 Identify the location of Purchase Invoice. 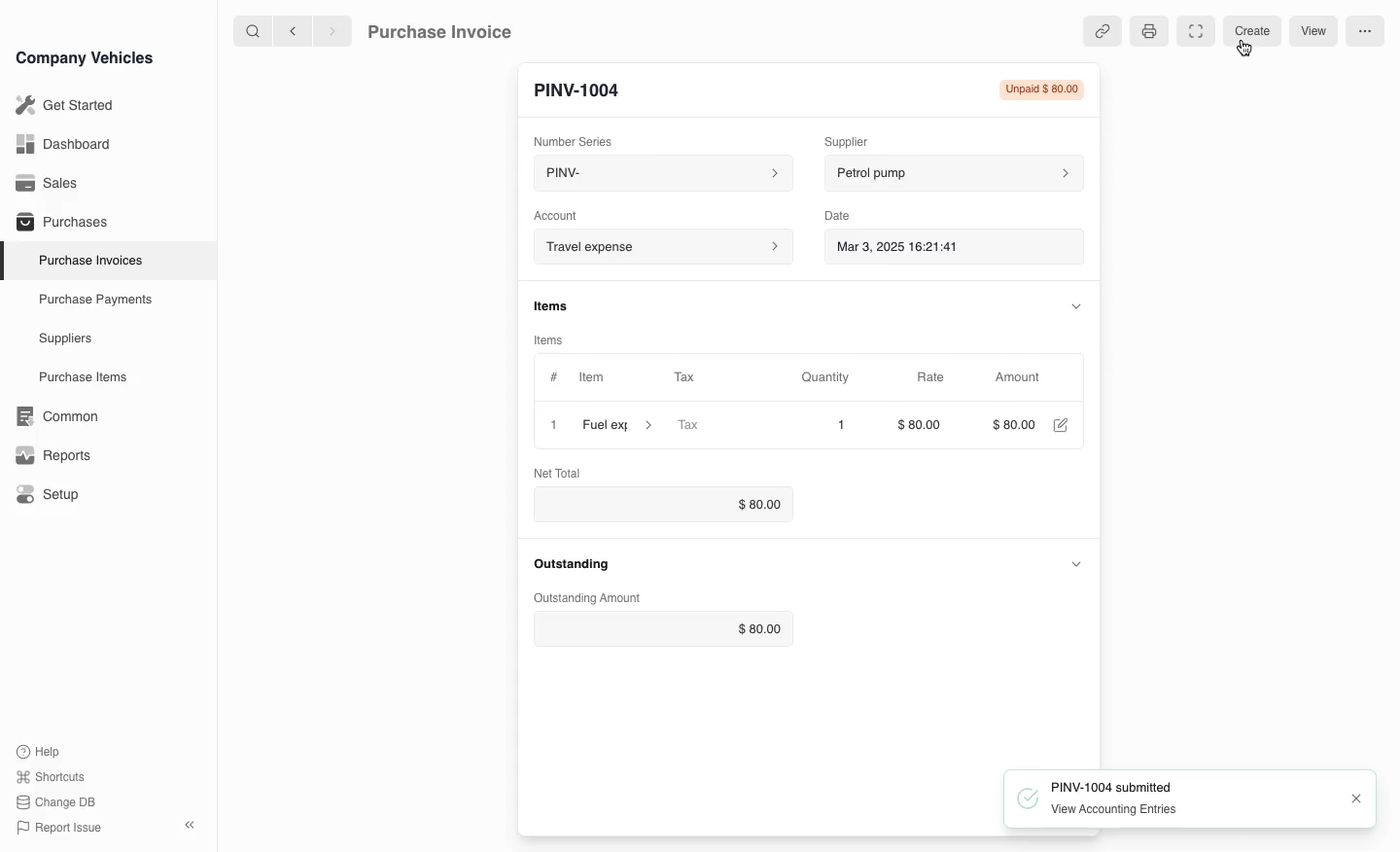
(453, 30).